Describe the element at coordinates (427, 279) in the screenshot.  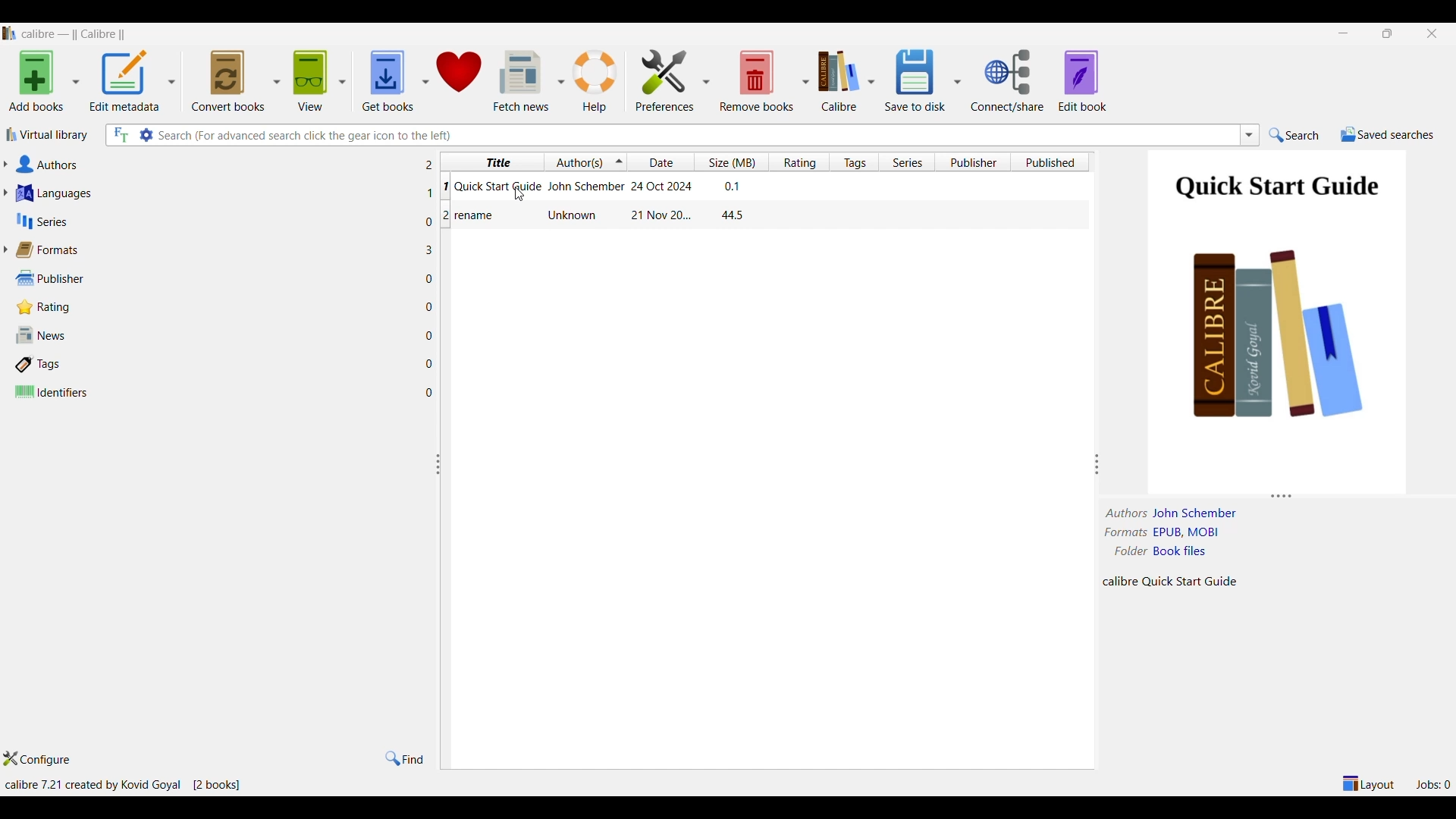
I see `File in each adjacent attribute` at that location.